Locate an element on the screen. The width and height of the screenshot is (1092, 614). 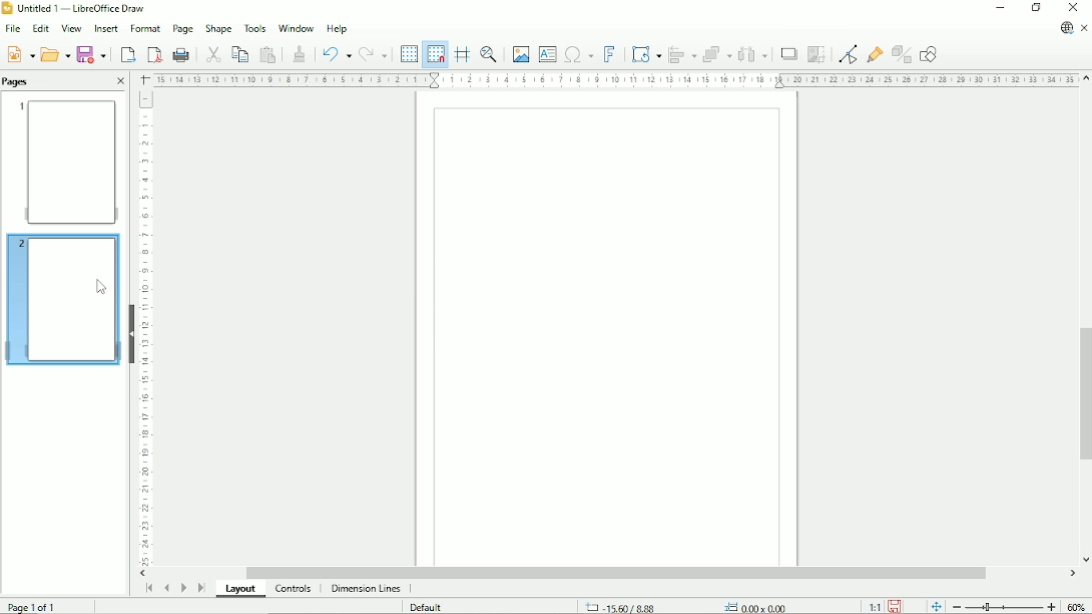
Align objects is located at coordinates (683, 54).